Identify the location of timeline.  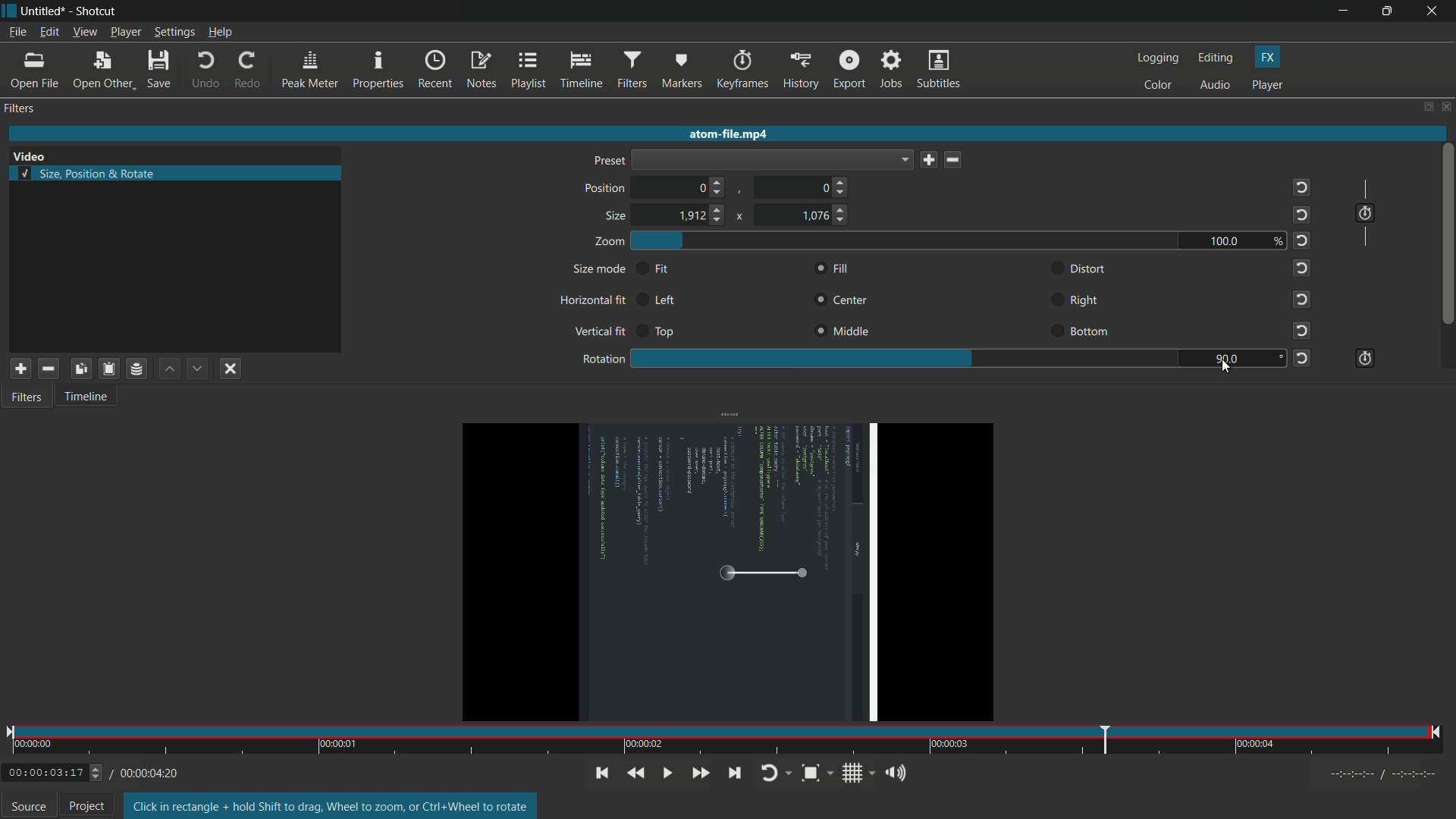
(84, 395).